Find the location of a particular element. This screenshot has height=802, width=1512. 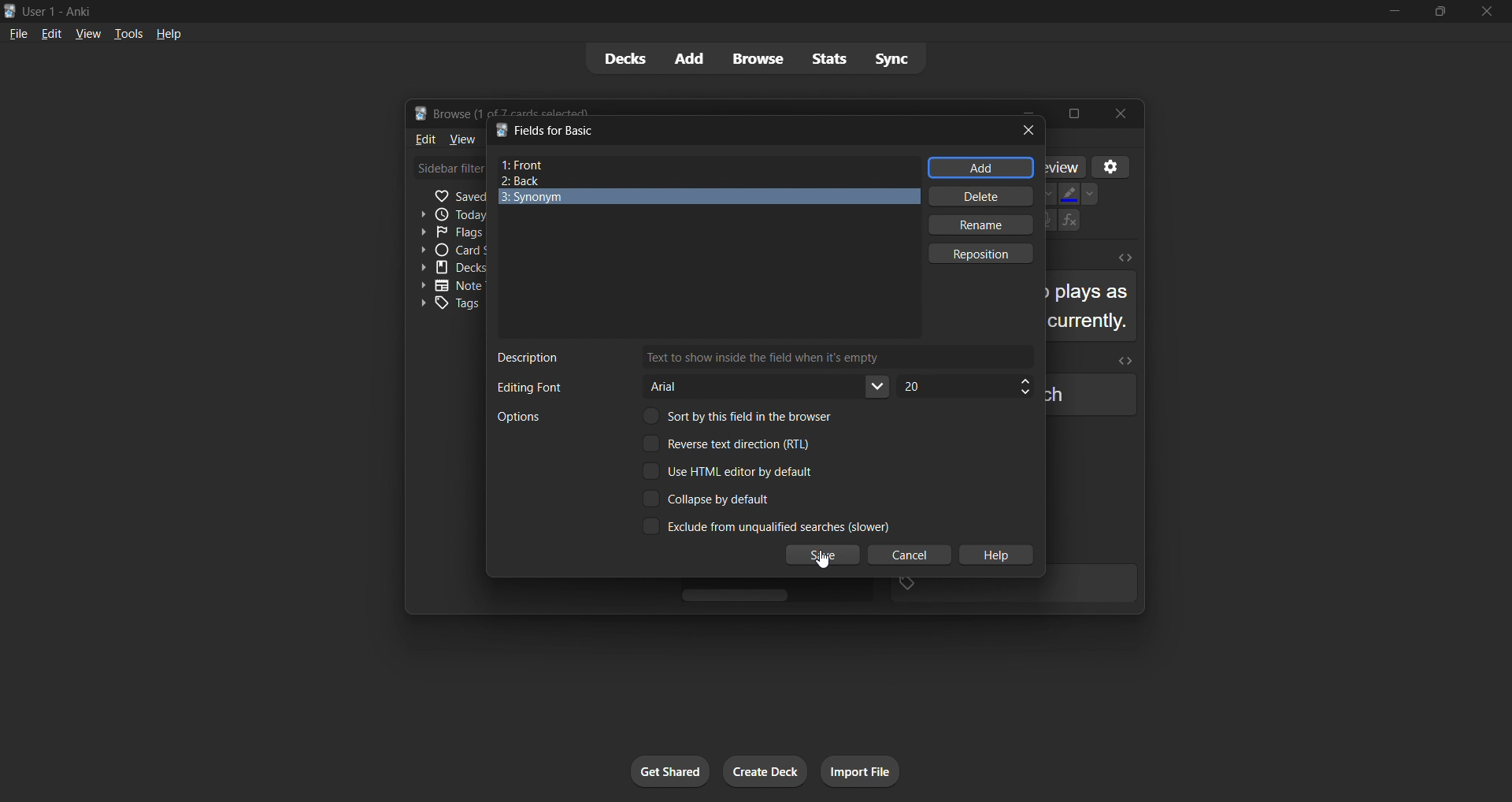

help is located at coordinates (997, 556).